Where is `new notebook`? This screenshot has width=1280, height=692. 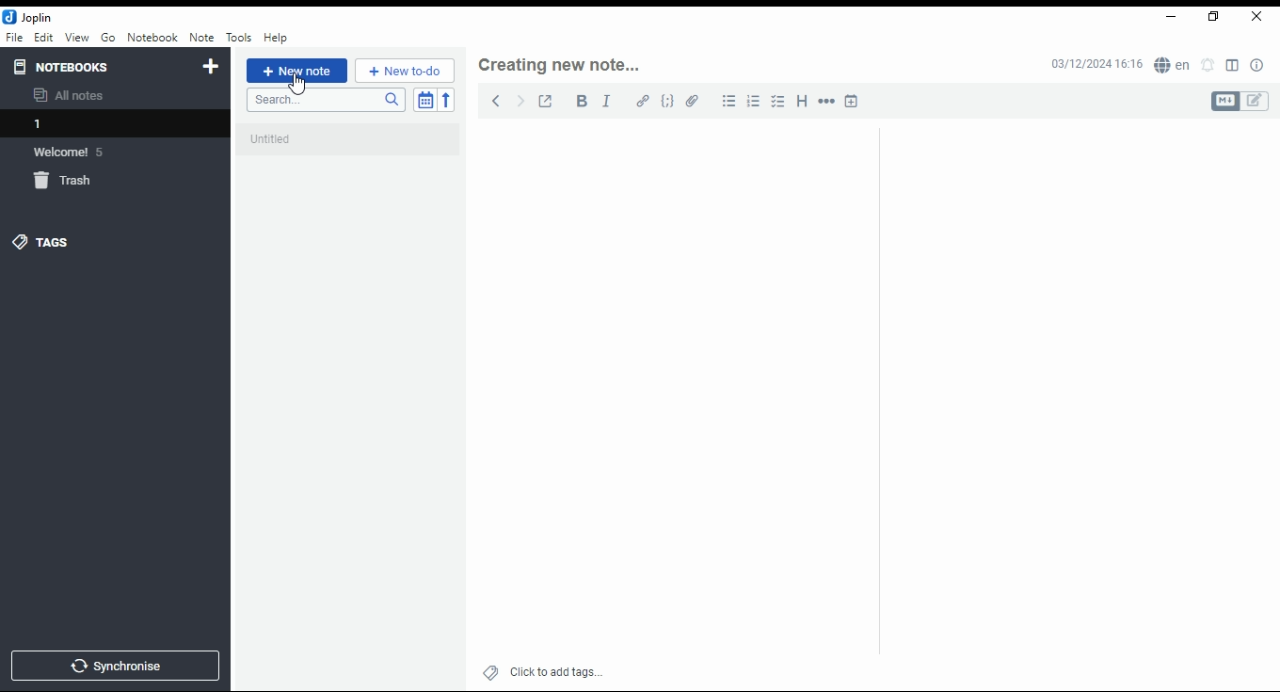 new notebook is located at coordinates (211, 67).